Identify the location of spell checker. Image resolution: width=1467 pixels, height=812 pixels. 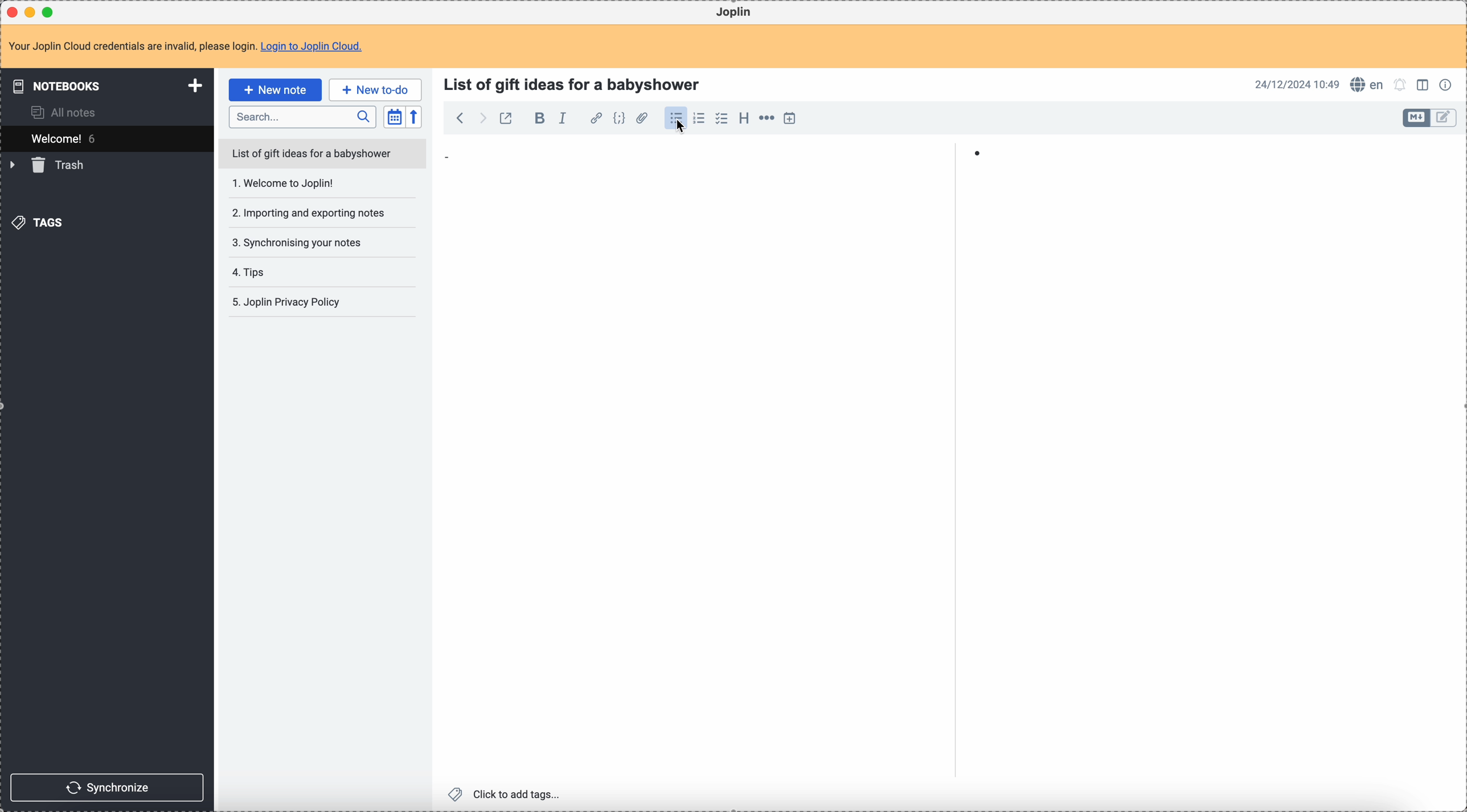
(1368, 85).